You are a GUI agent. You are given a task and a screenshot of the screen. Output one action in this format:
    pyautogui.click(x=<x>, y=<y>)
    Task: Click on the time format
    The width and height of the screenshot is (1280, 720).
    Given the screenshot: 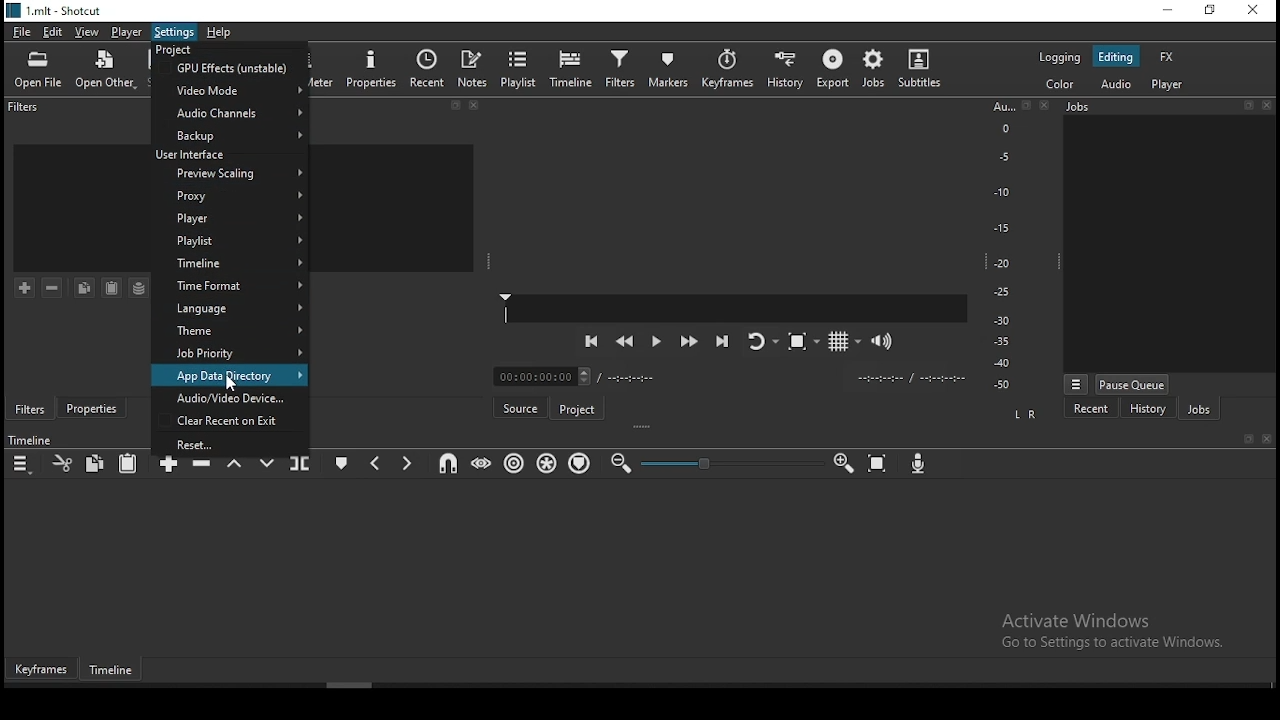 What is the action you would take?
    pyautogui.click(x=231, y=287)
    